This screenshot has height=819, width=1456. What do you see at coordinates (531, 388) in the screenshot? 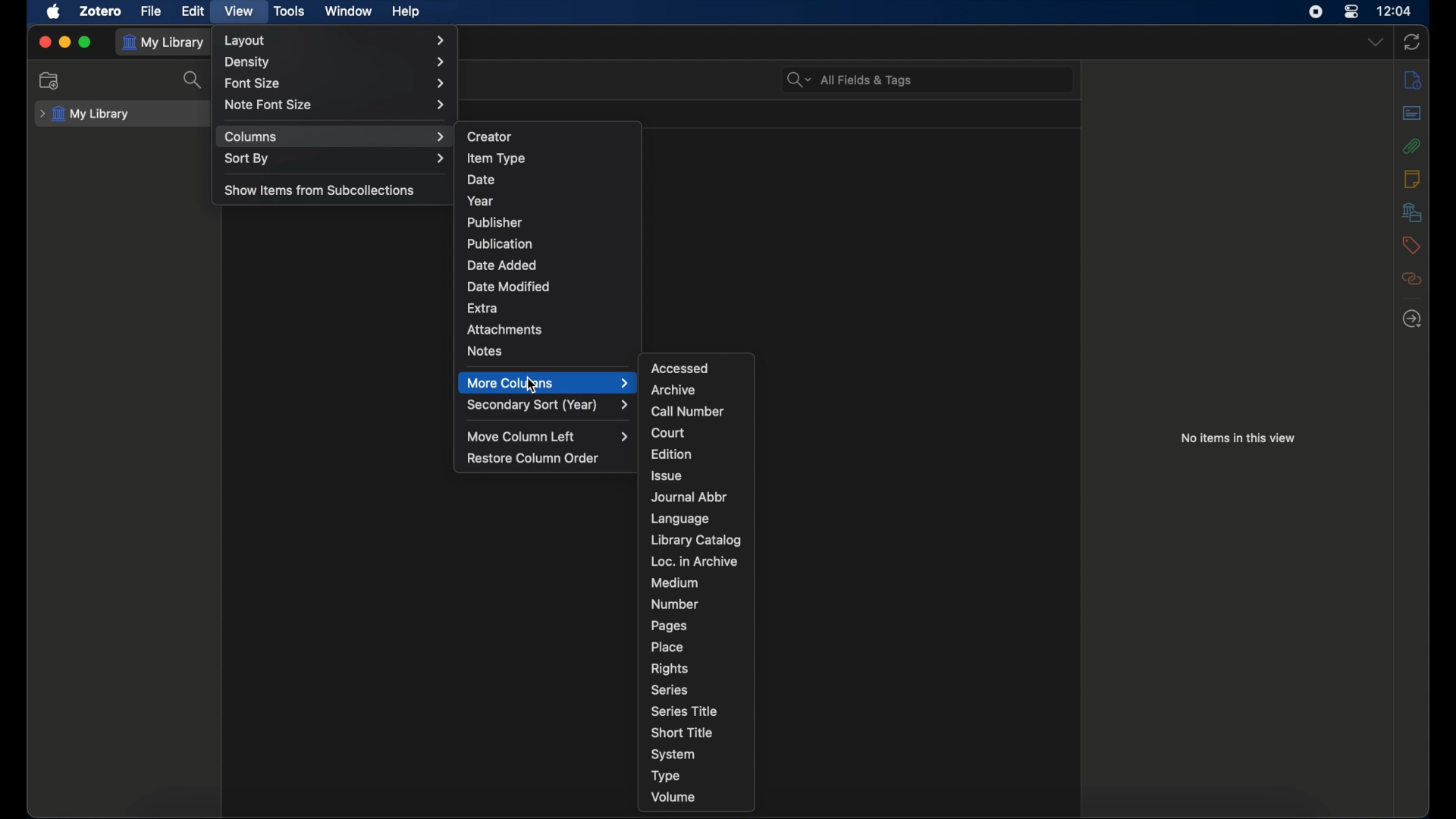
I see `cursor` at bounding box center [531, 388].